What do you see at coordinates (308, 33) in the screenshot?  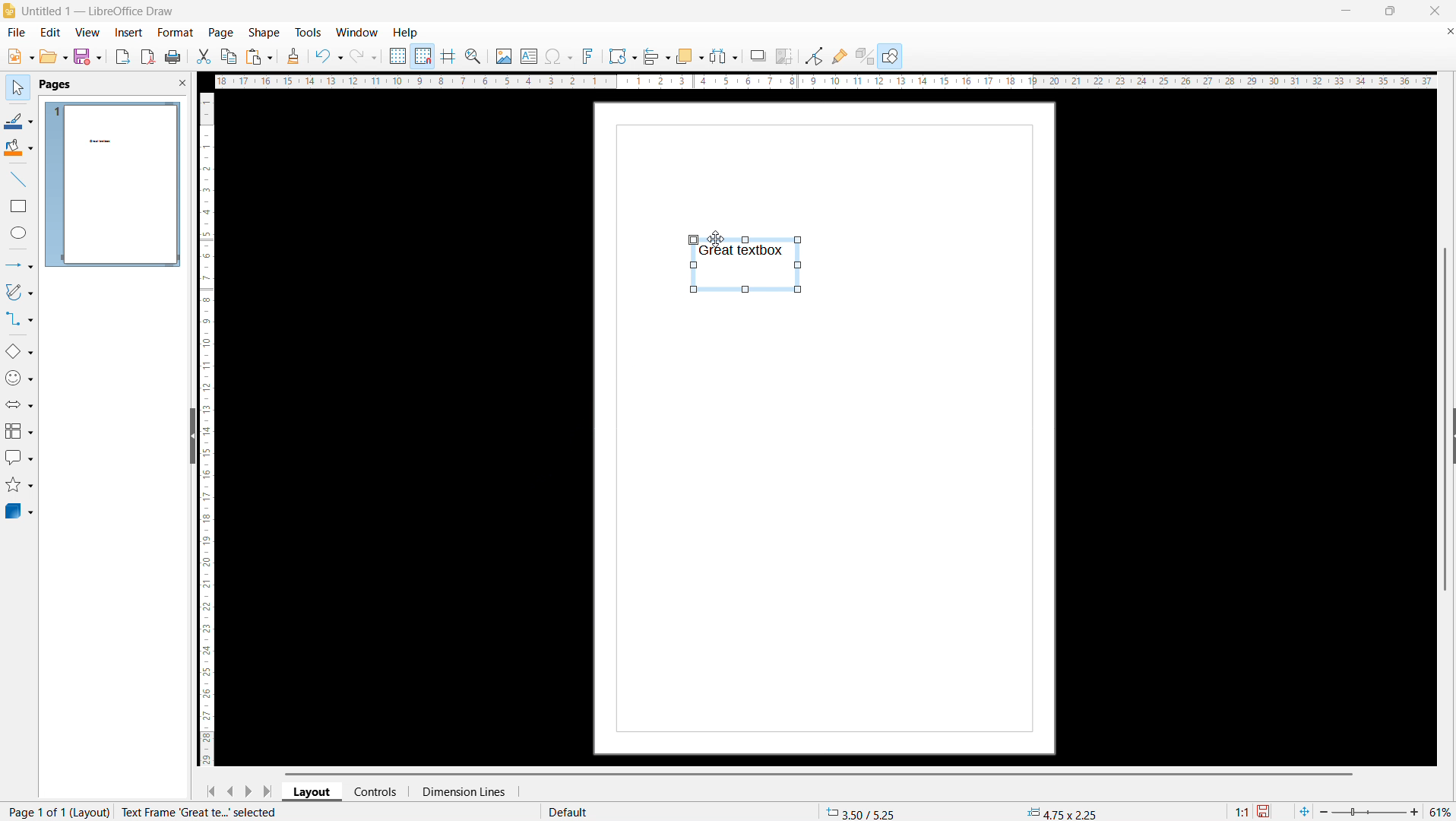 I see `tools` at bounding box center [308, 33].